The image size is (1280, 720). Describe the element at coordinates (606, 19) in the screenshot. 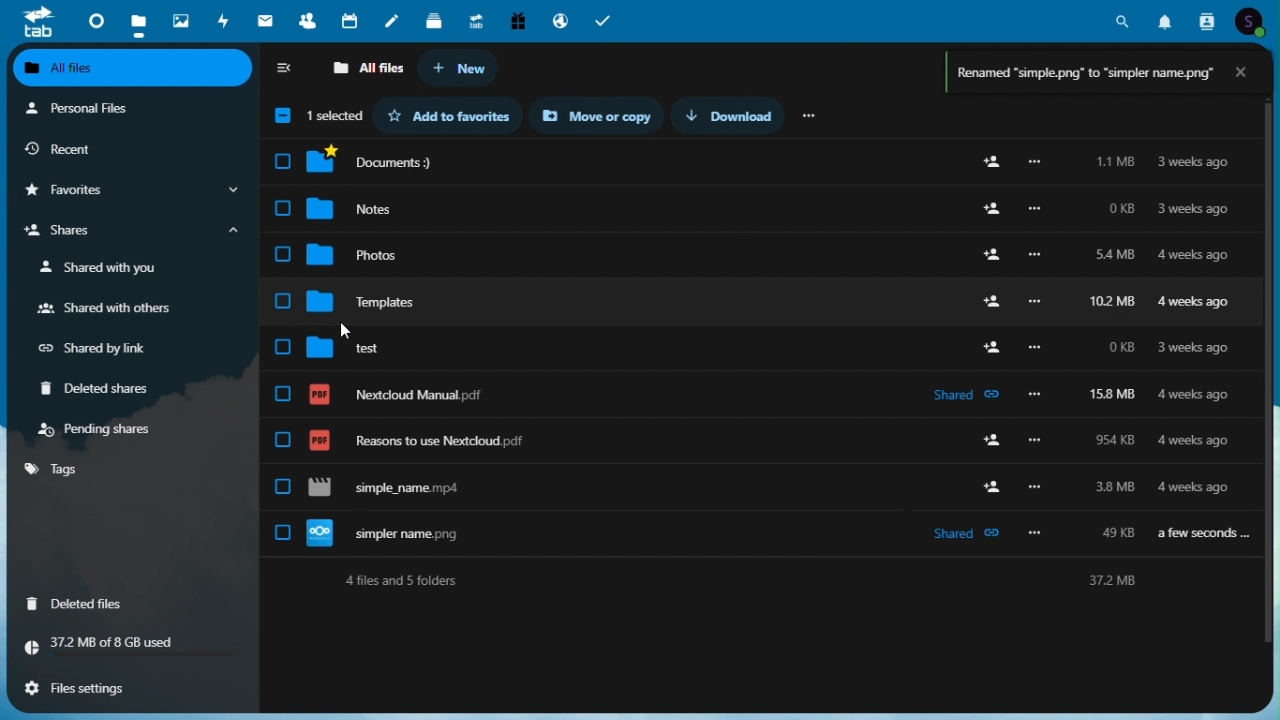

I see `tasks` at that location.